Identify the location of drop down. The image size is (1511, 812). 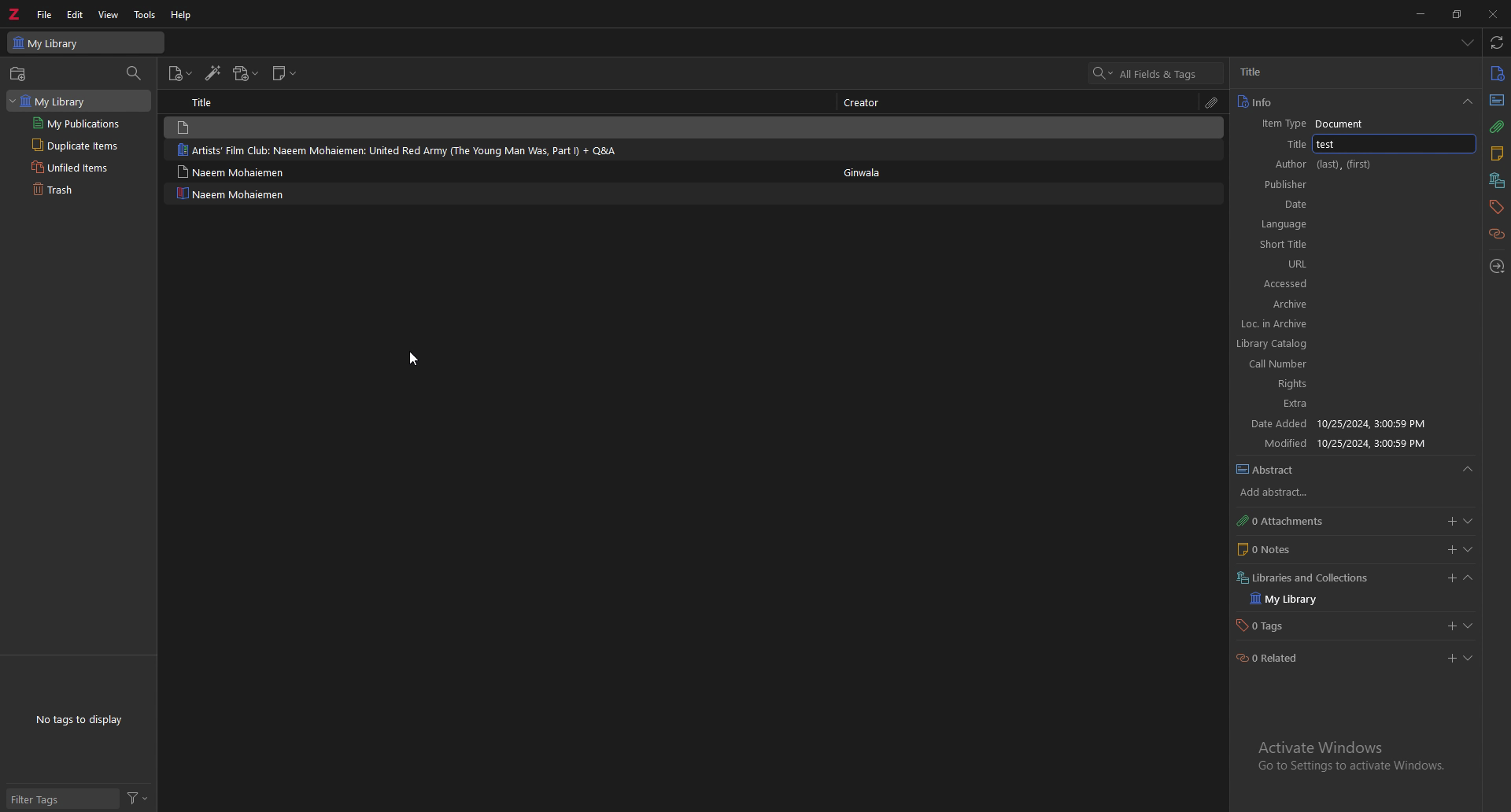
(1468, 103).